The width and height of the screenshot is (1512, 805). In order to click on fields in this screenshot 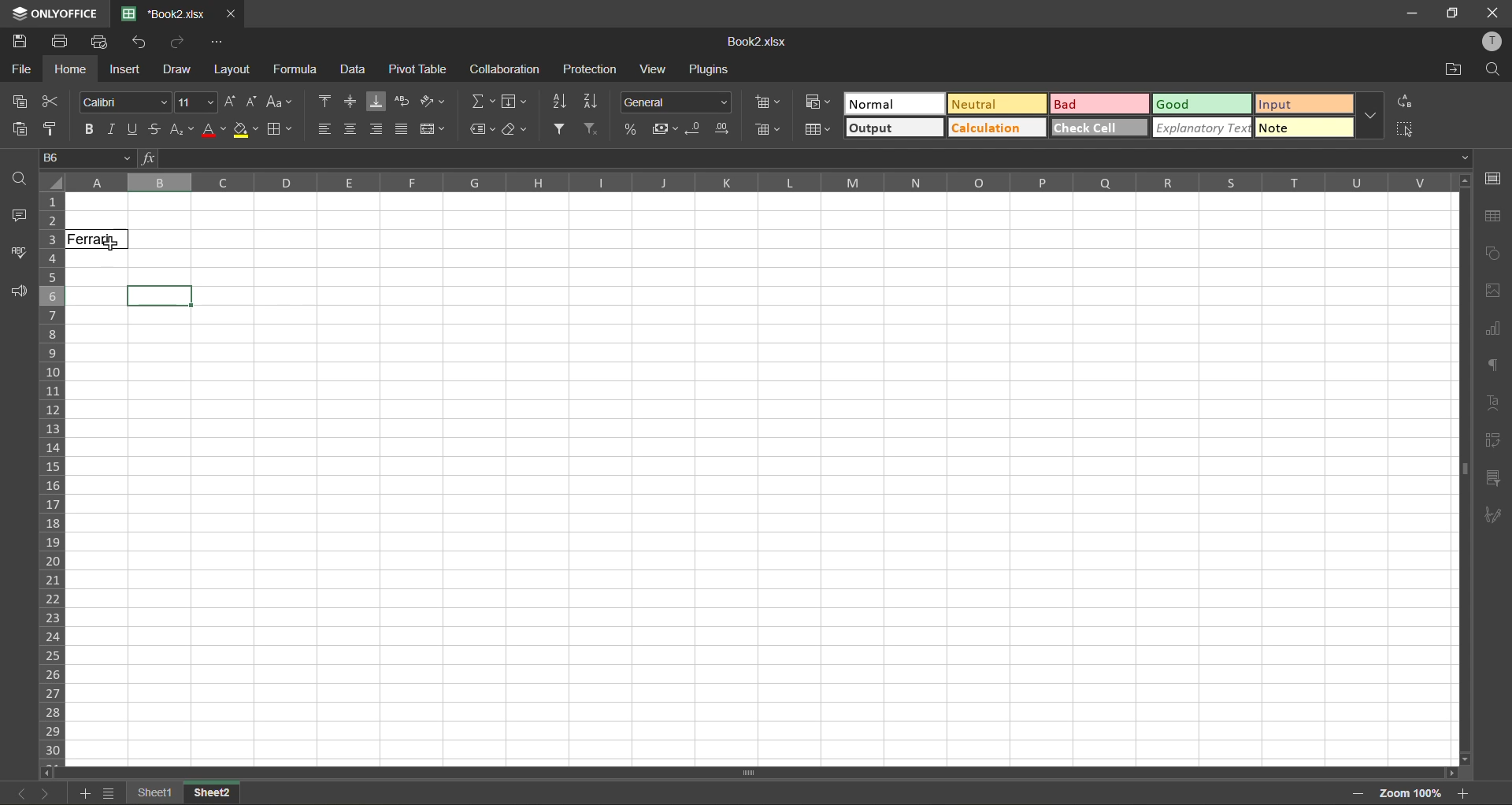, I will do `click(515, 102)`.